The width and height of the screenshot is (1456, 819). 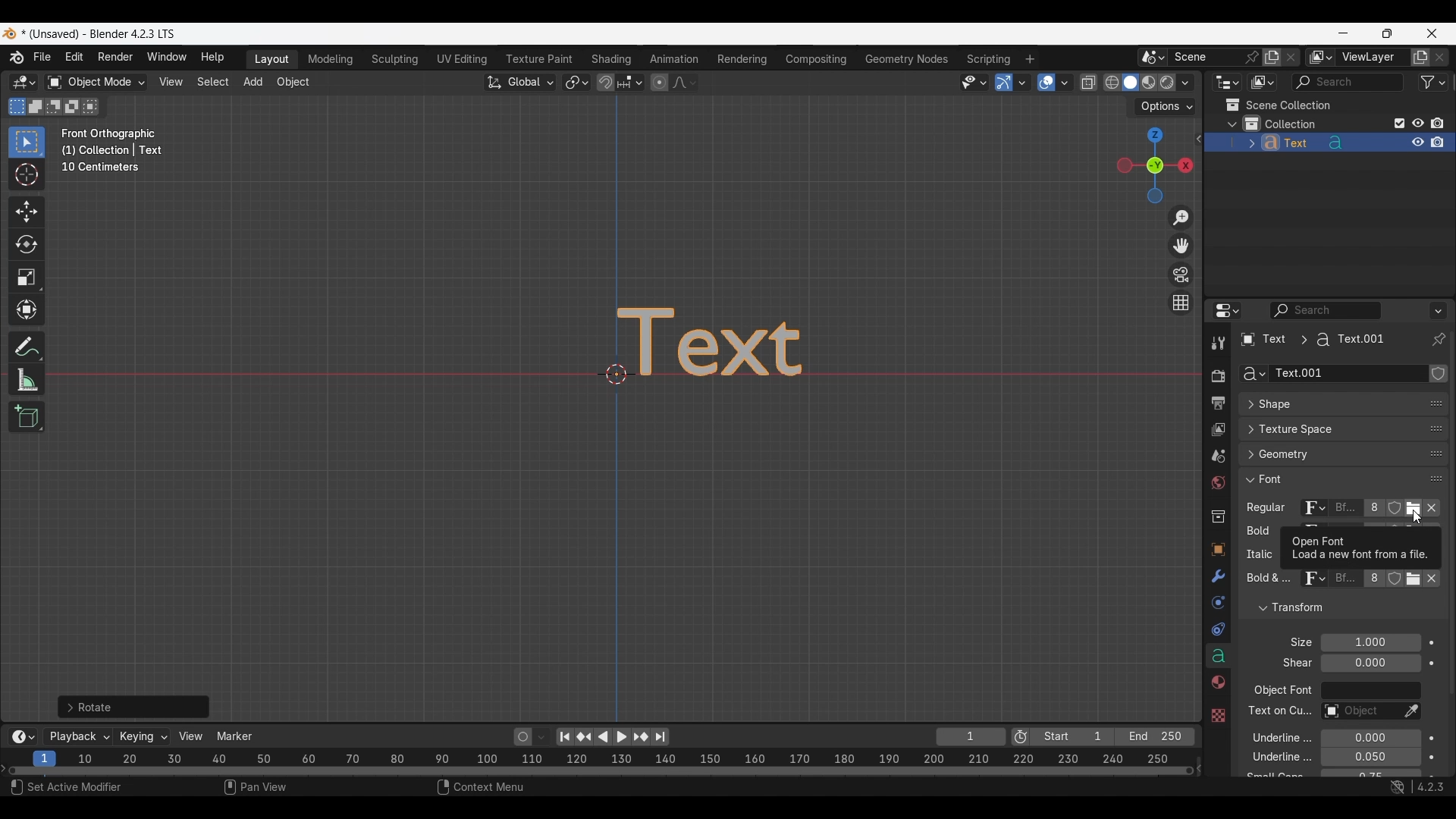 I want to click on View layer, so click(x=1217, y=431).